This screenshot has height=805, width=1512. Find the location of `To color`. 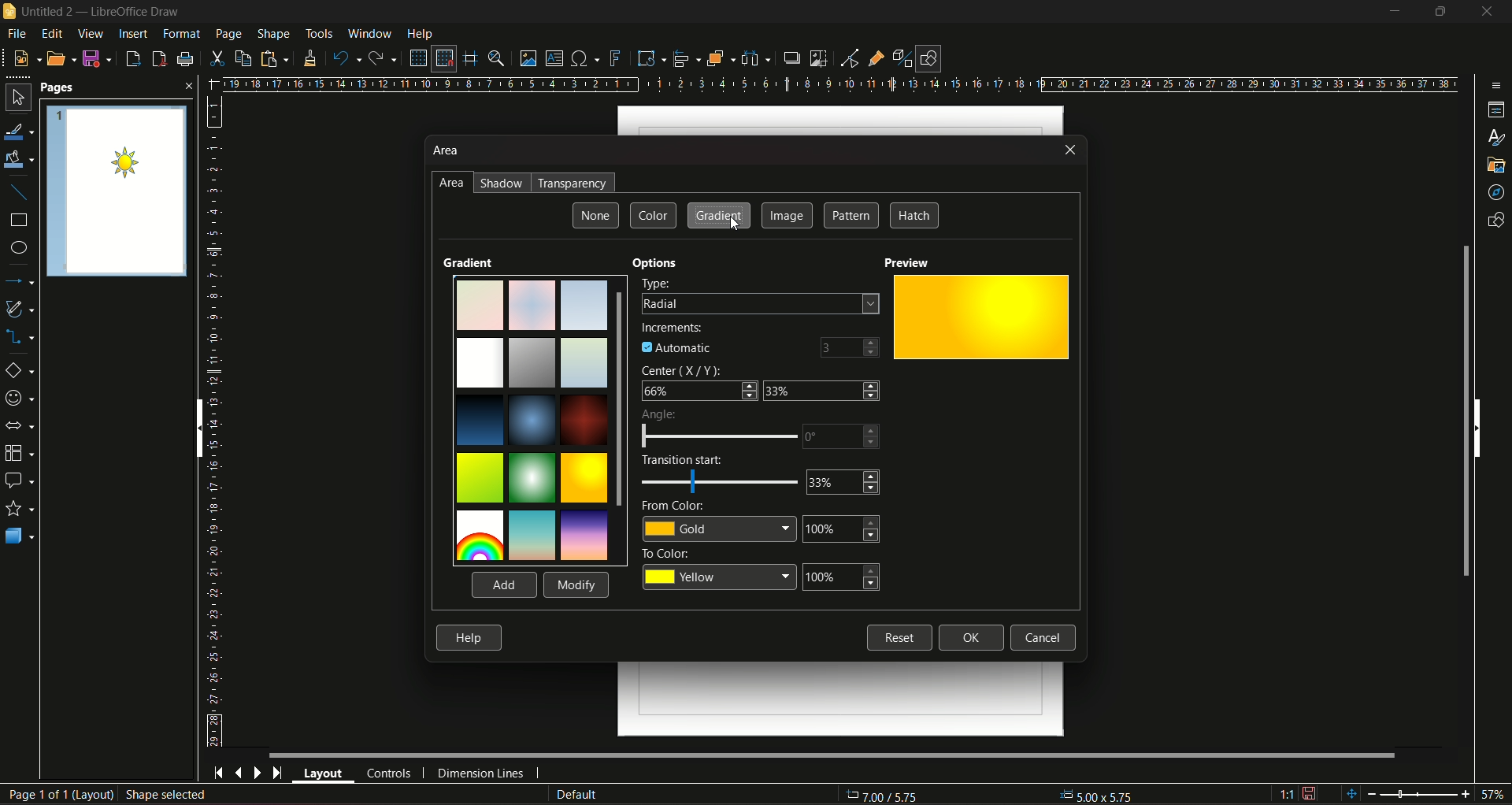

To color is located at coordinates (760, 574).